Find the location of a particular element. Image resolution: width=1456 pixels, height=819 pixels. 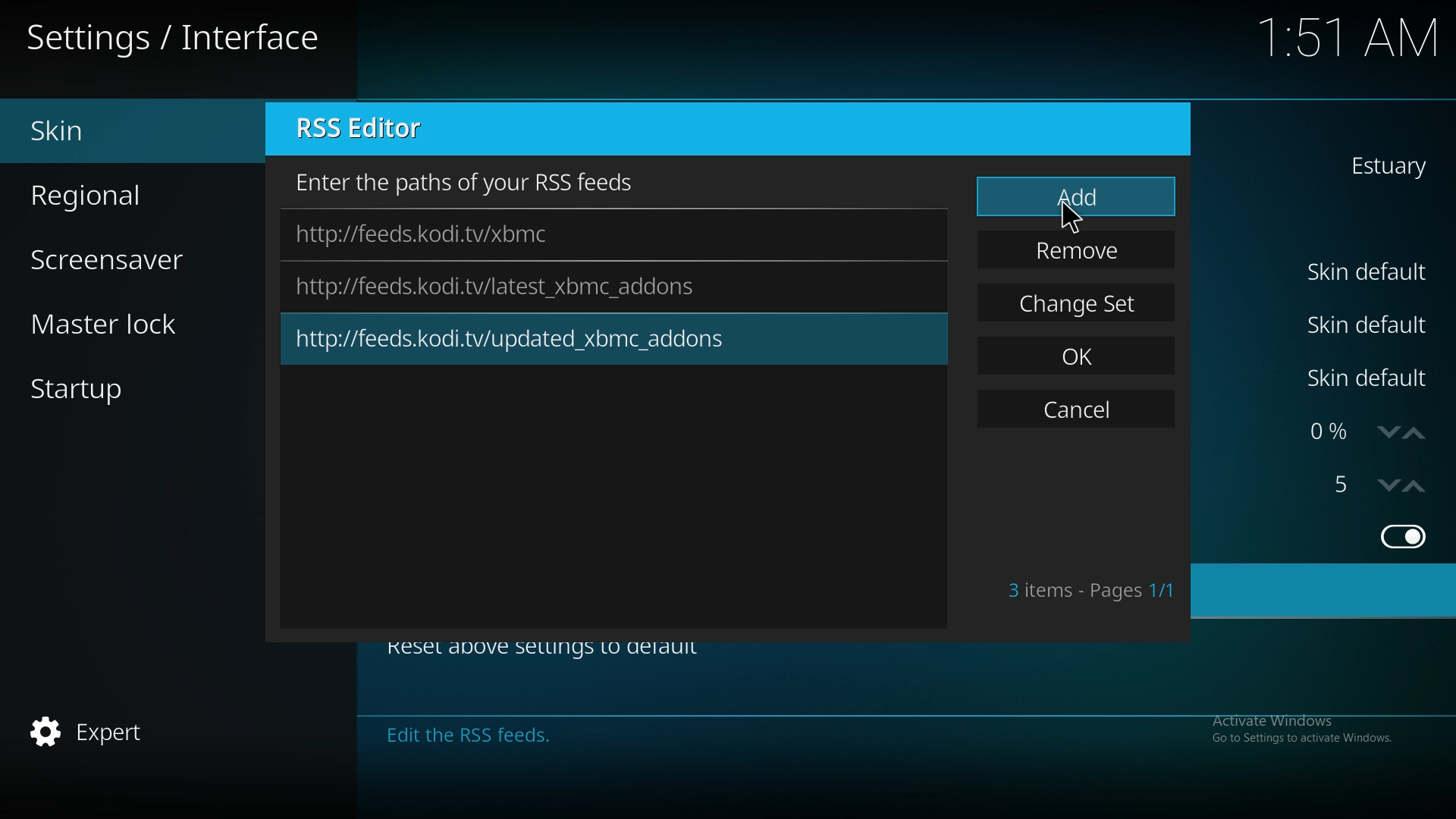

increase stereoscopic 3d effect strength is located at coordinates (1416, 485).